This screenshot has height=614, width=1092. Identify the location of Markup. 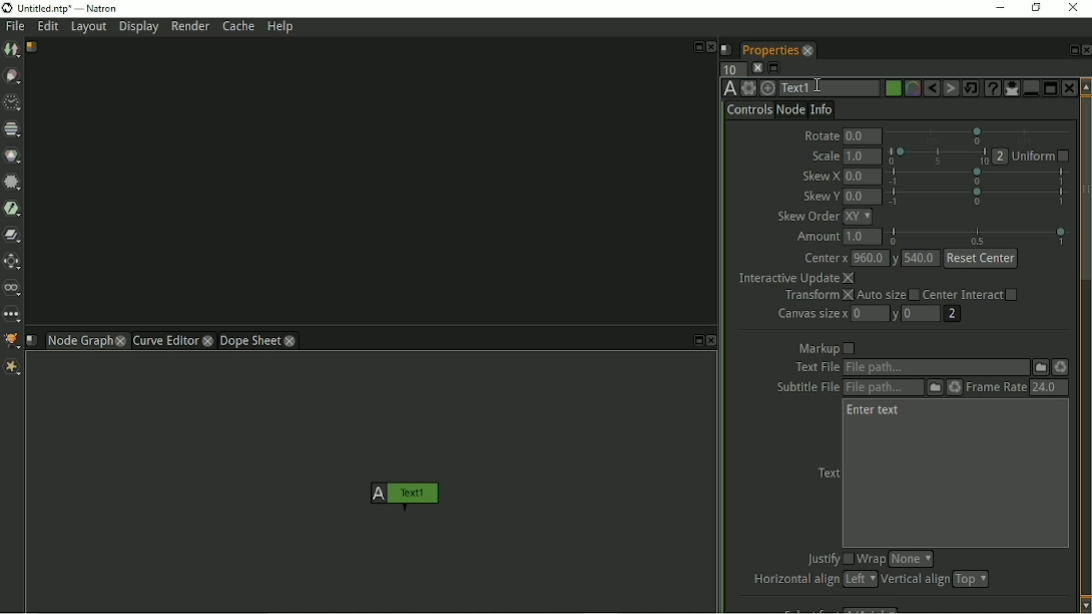
(827, 348).